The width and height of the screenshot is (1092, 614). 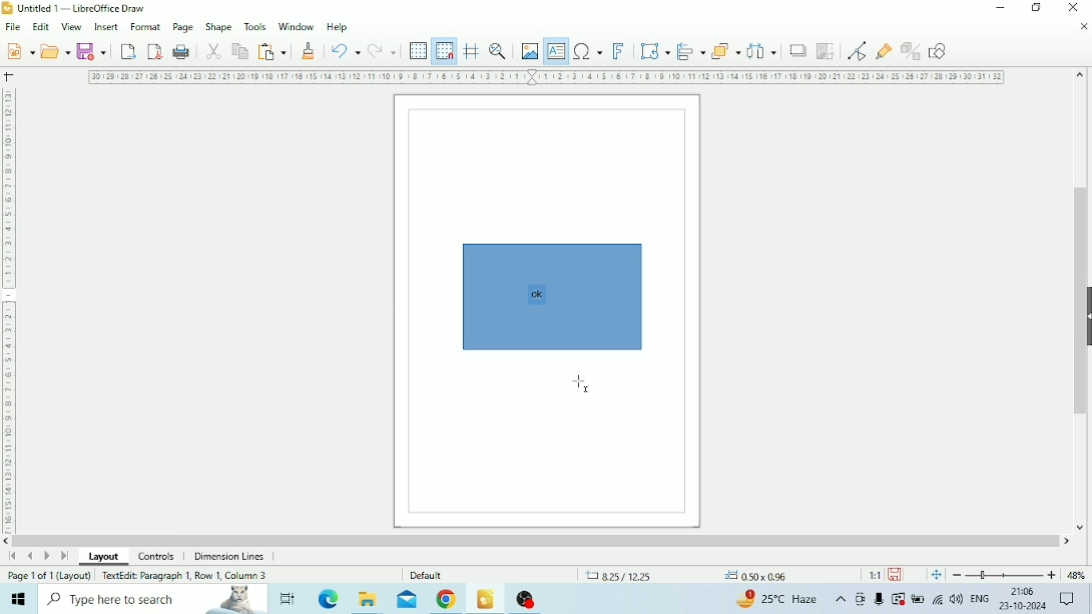 What do you see at coordinates (214, 51) in the screenshot?
I see `Cut` at bounding box center [214, 51].